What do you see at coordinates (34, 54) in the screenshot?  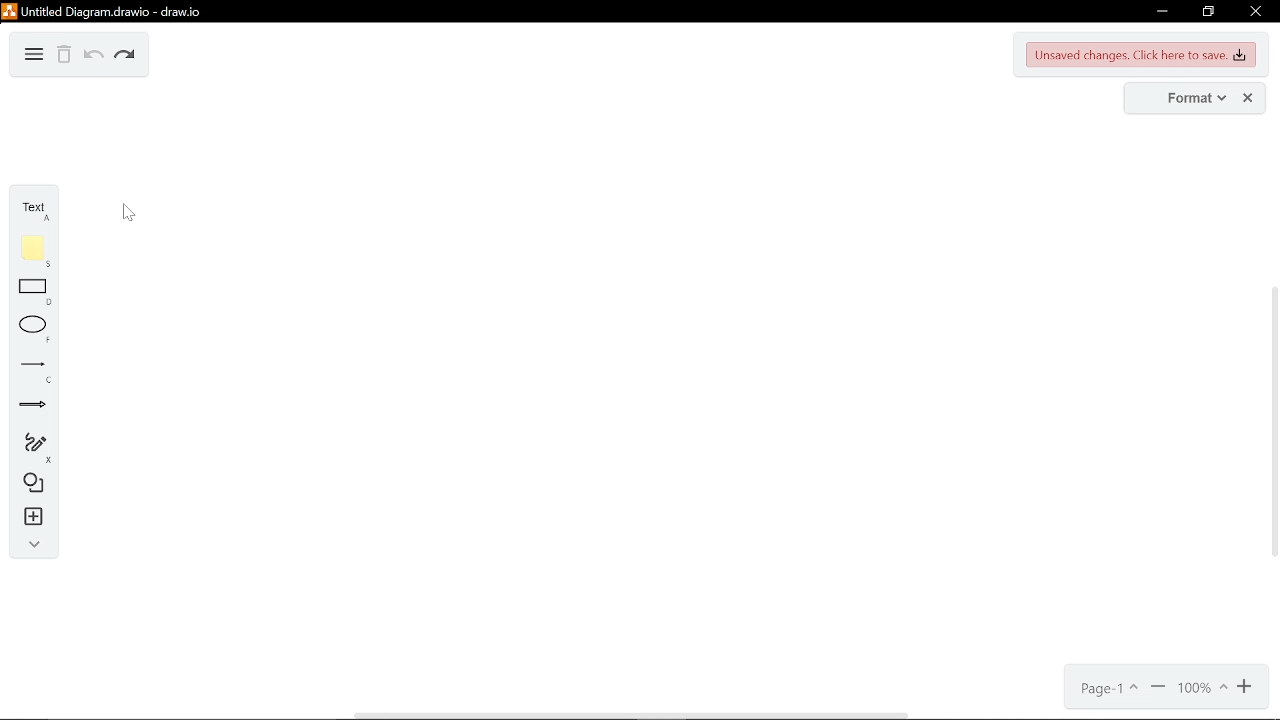 I see `diagram` at bounding box center [34, 54].